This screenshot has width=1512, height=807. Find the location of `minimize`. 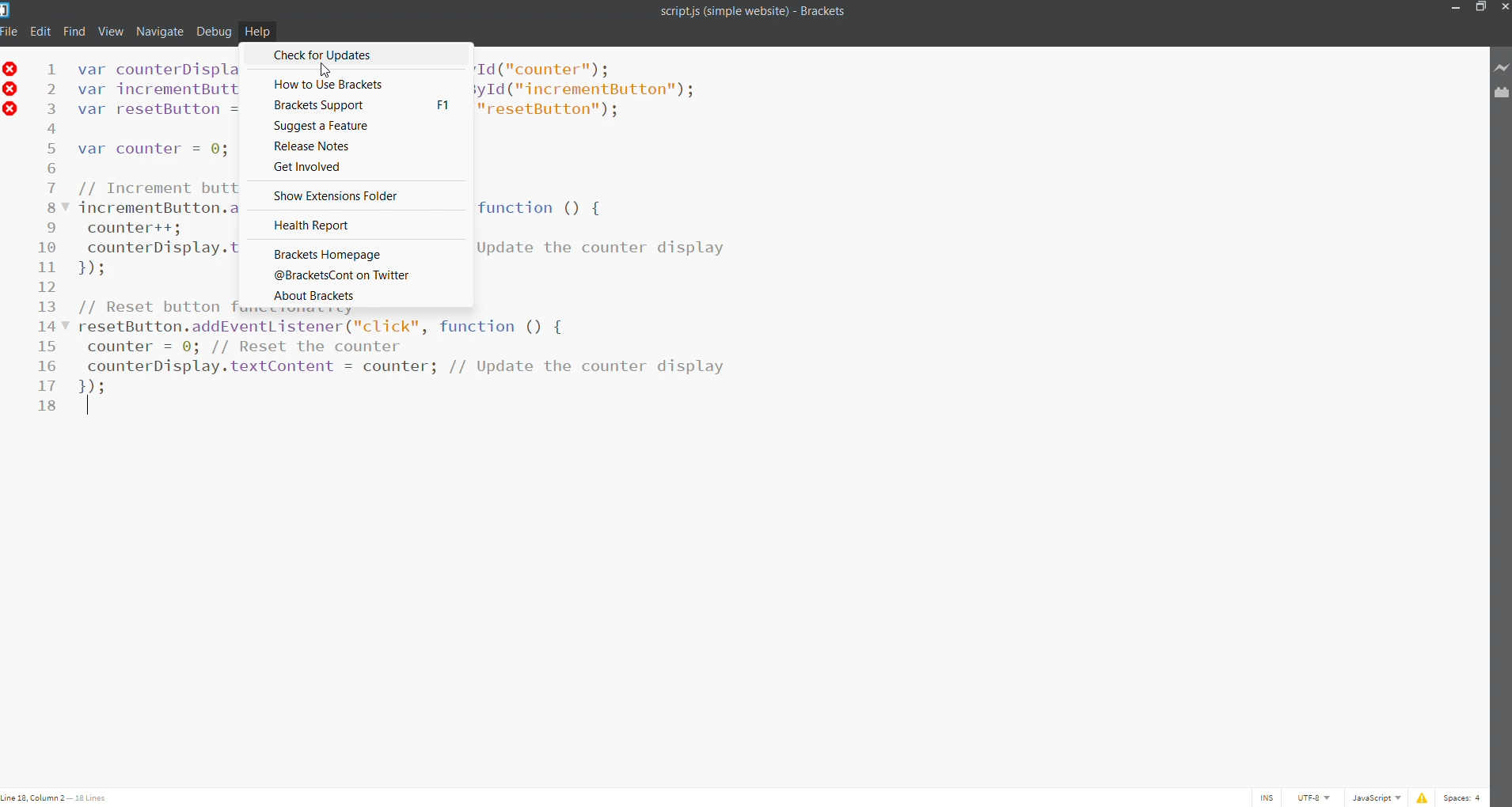

minimize is located at coordinates (1453, 7).